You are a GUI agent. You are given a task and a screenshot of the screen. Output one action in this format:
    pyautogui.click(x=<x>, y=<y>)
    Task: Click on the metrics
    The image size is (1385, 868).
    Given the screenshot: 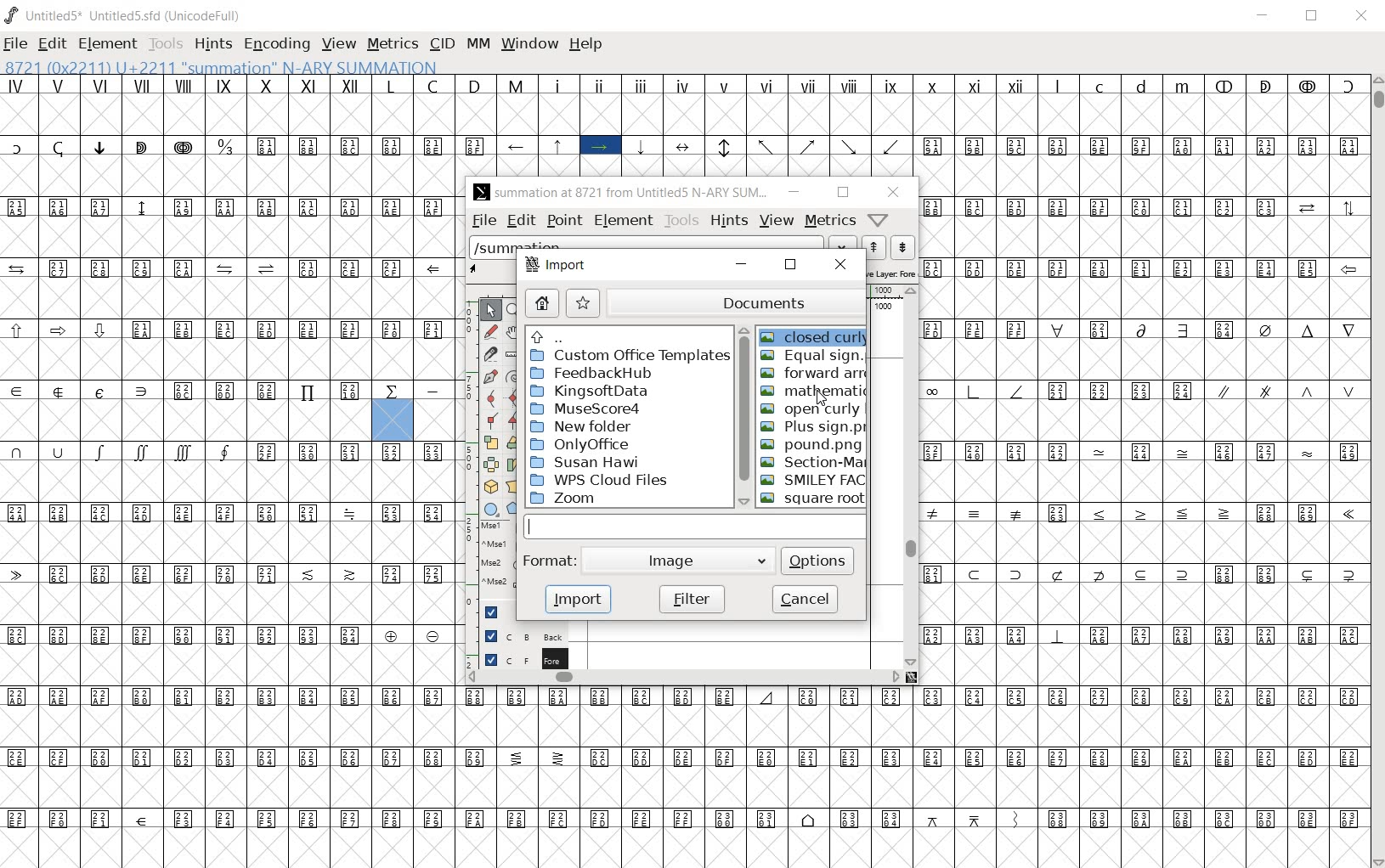 What is the action you would take?
    pyautogui.click(x=828, y=221)
    